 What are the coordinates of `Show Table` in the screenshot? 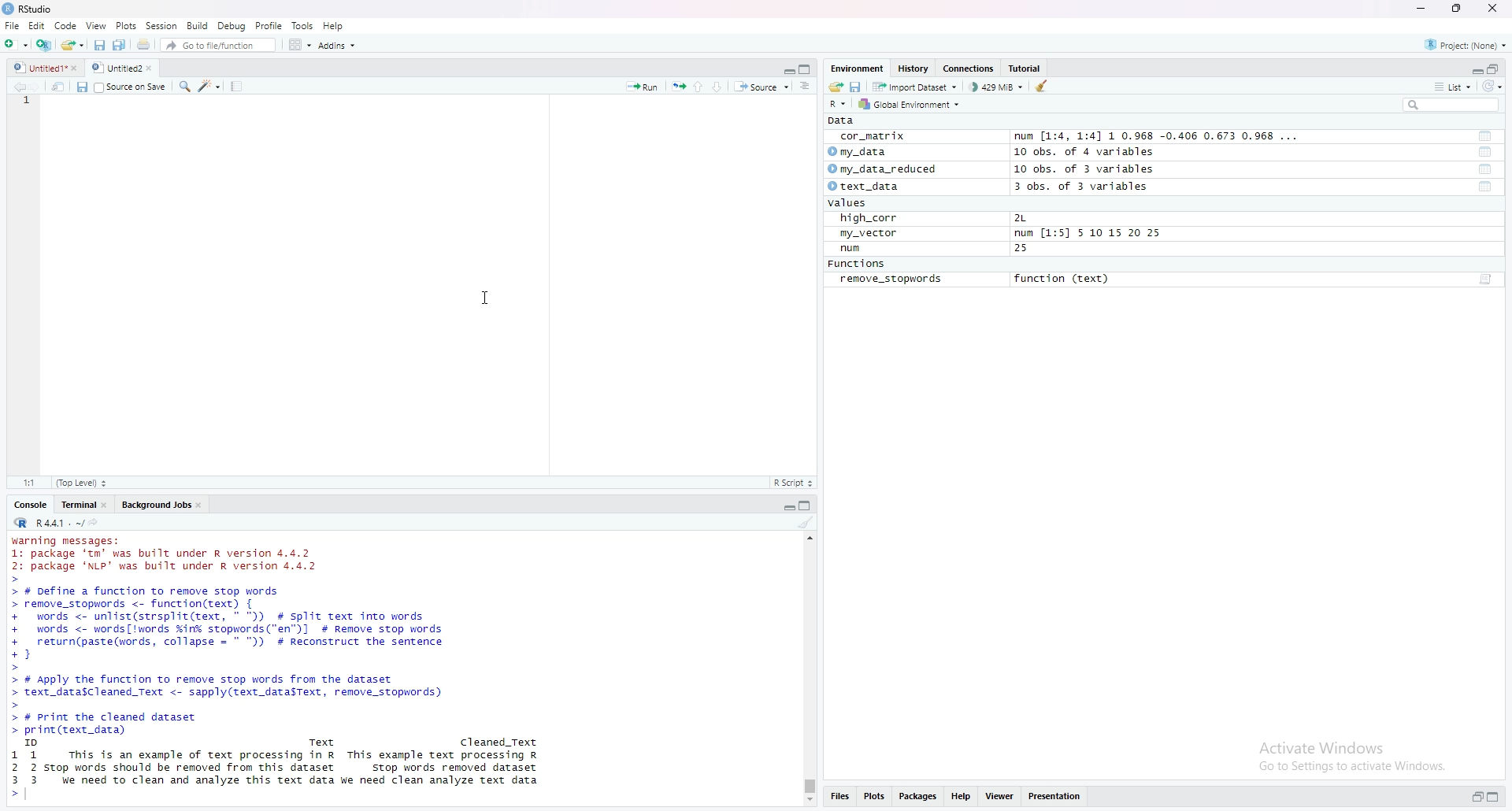 It's located at (1486, 152).